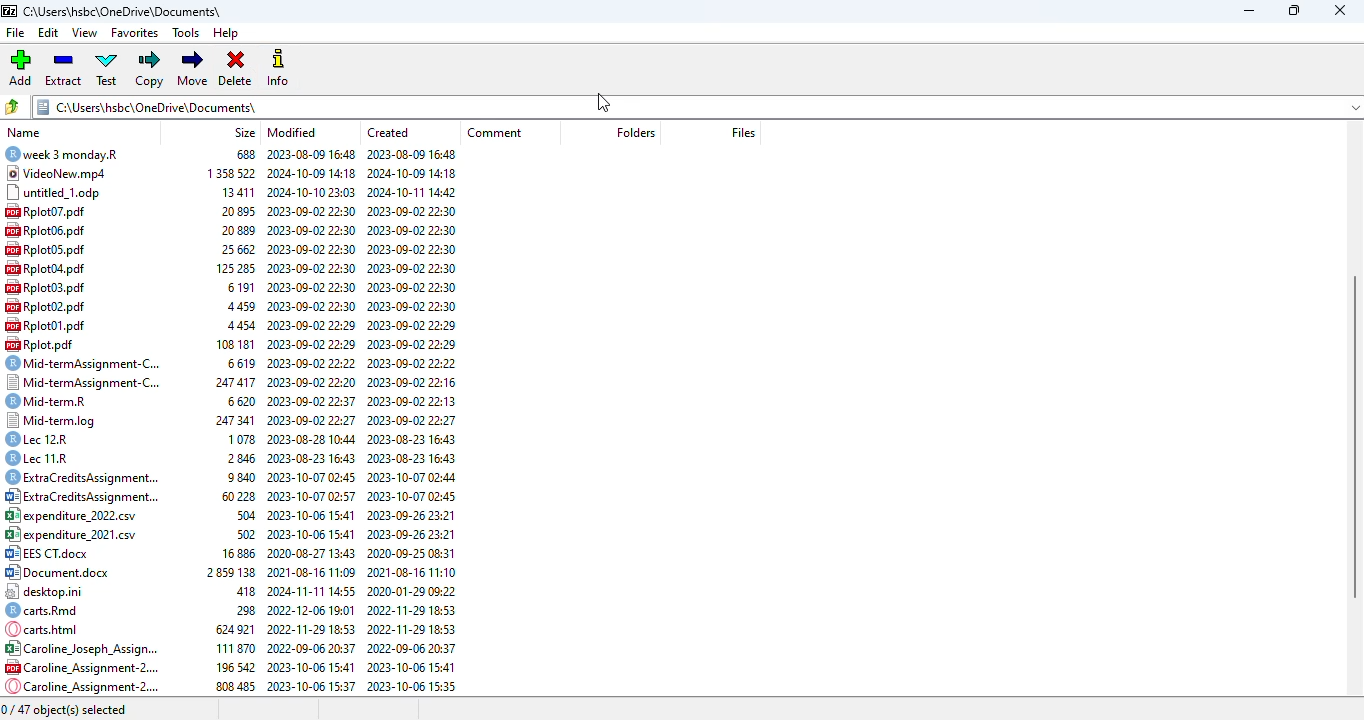 Image resolution: width=1364 pixels, height=720 pixels. I want to click on 2024-10-11 14:42, so click(411, 192).